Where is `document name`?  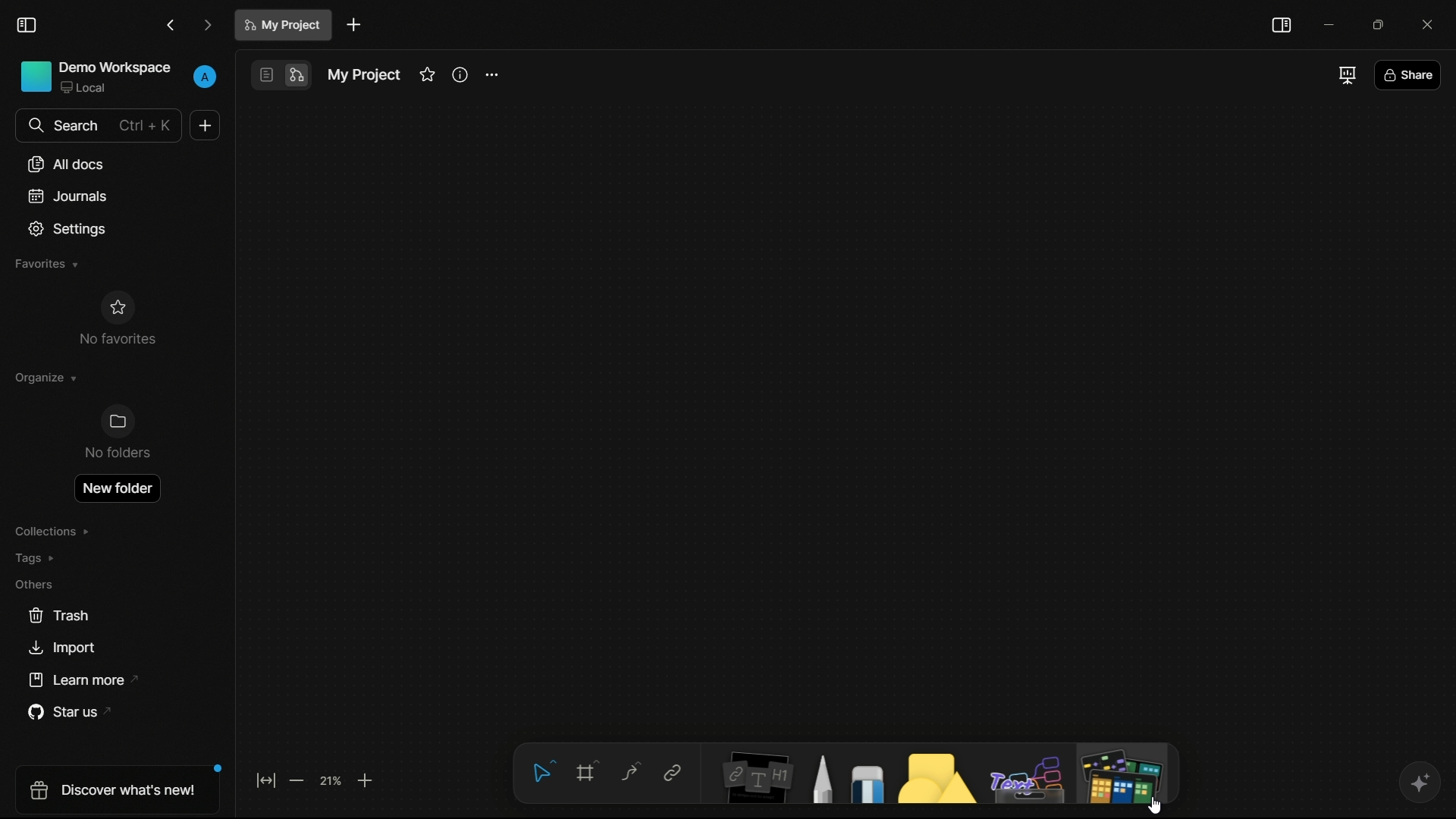 document name is located at coordinates (283, 25).